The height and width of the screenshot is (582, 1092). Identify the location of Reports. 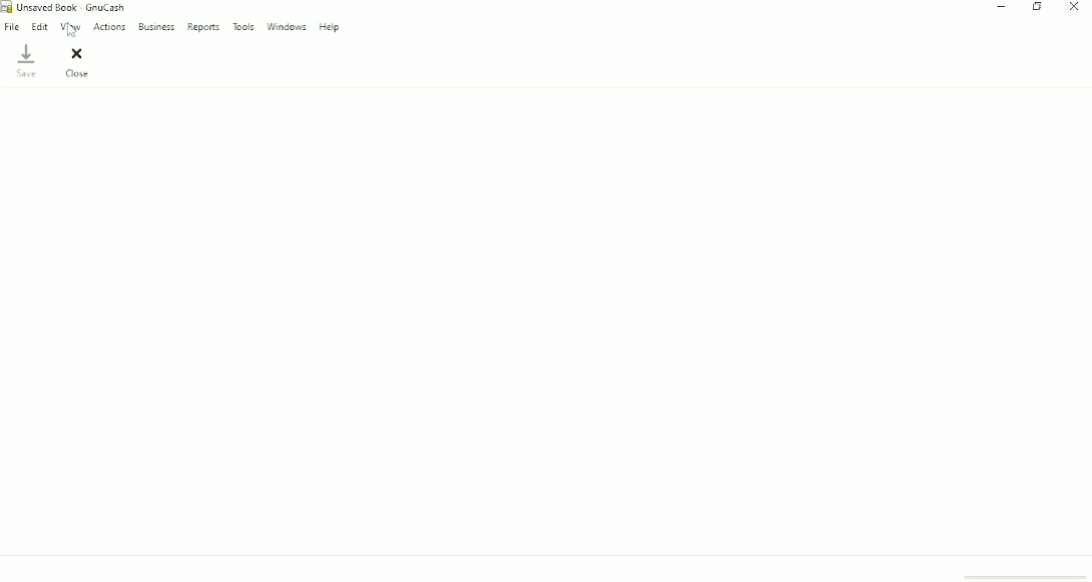
(203, 28).